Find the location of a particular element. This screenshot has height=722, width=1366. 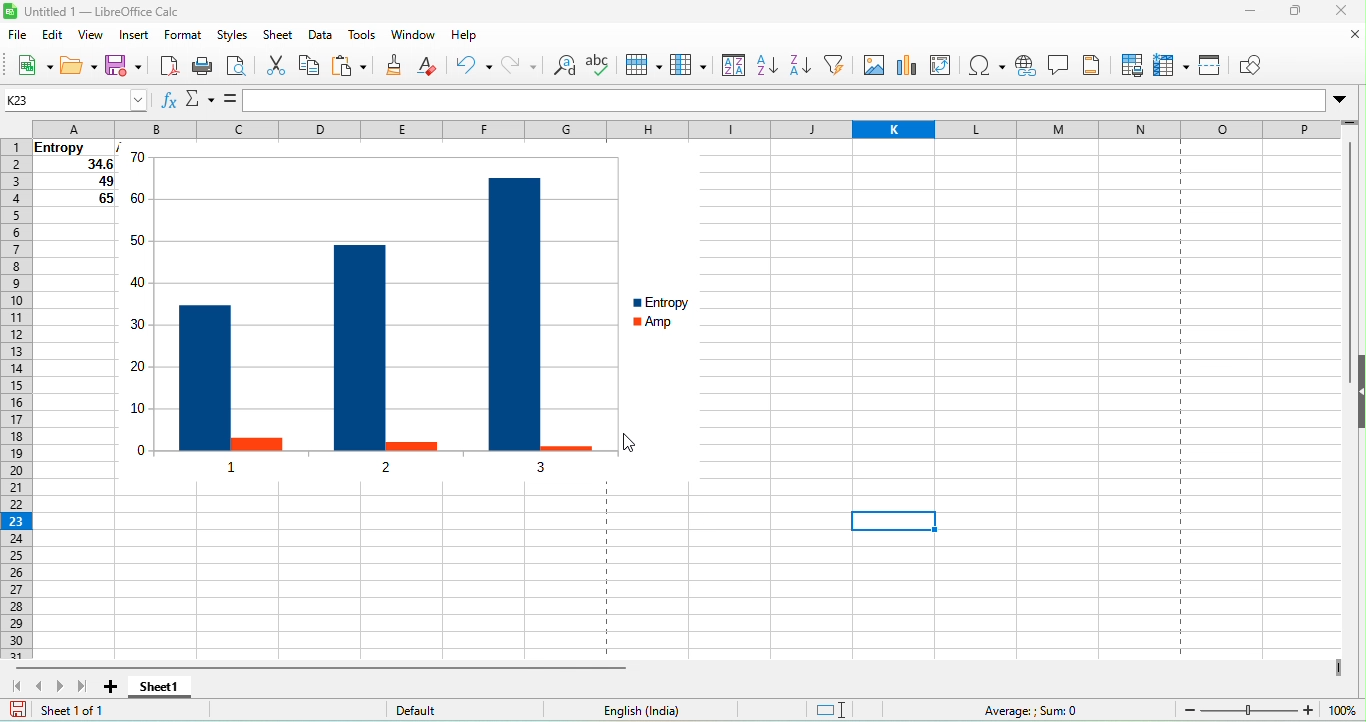

scroll to next sheet is located at coordinates (59, 687).